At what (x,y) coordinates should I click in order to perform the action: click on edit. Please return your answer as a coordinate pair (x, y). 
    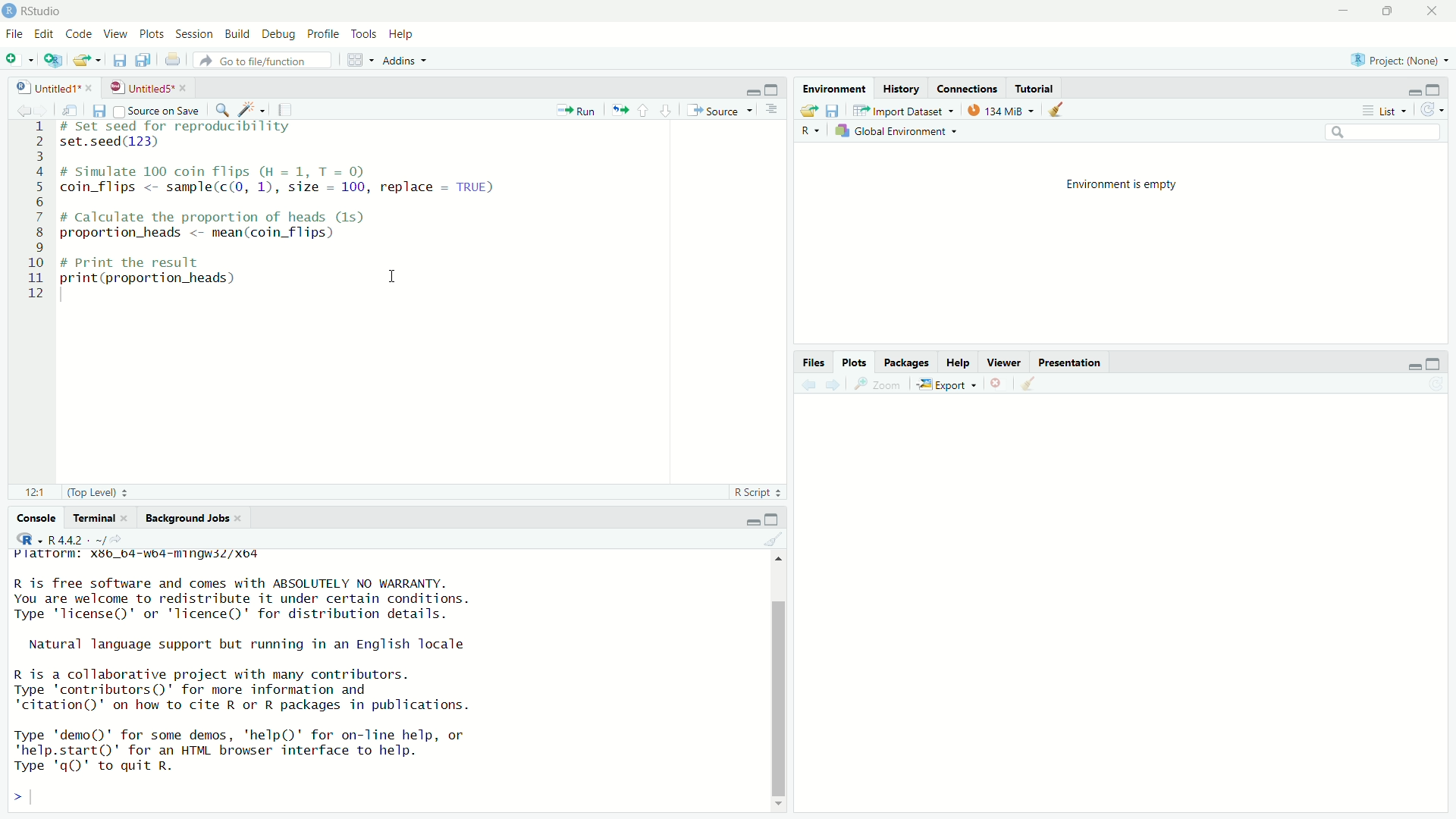
    Looking at the image, I should click on (45, 33).